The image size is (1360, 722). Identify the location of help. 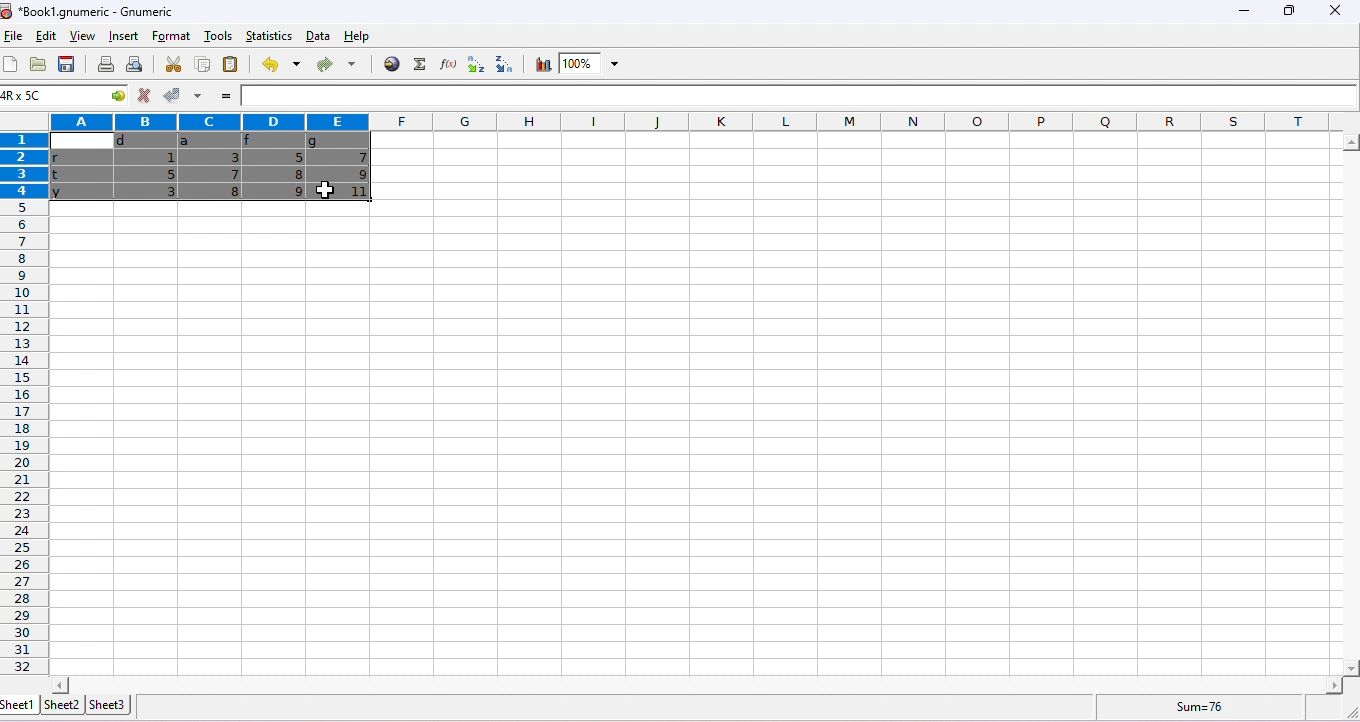
(365, 38).